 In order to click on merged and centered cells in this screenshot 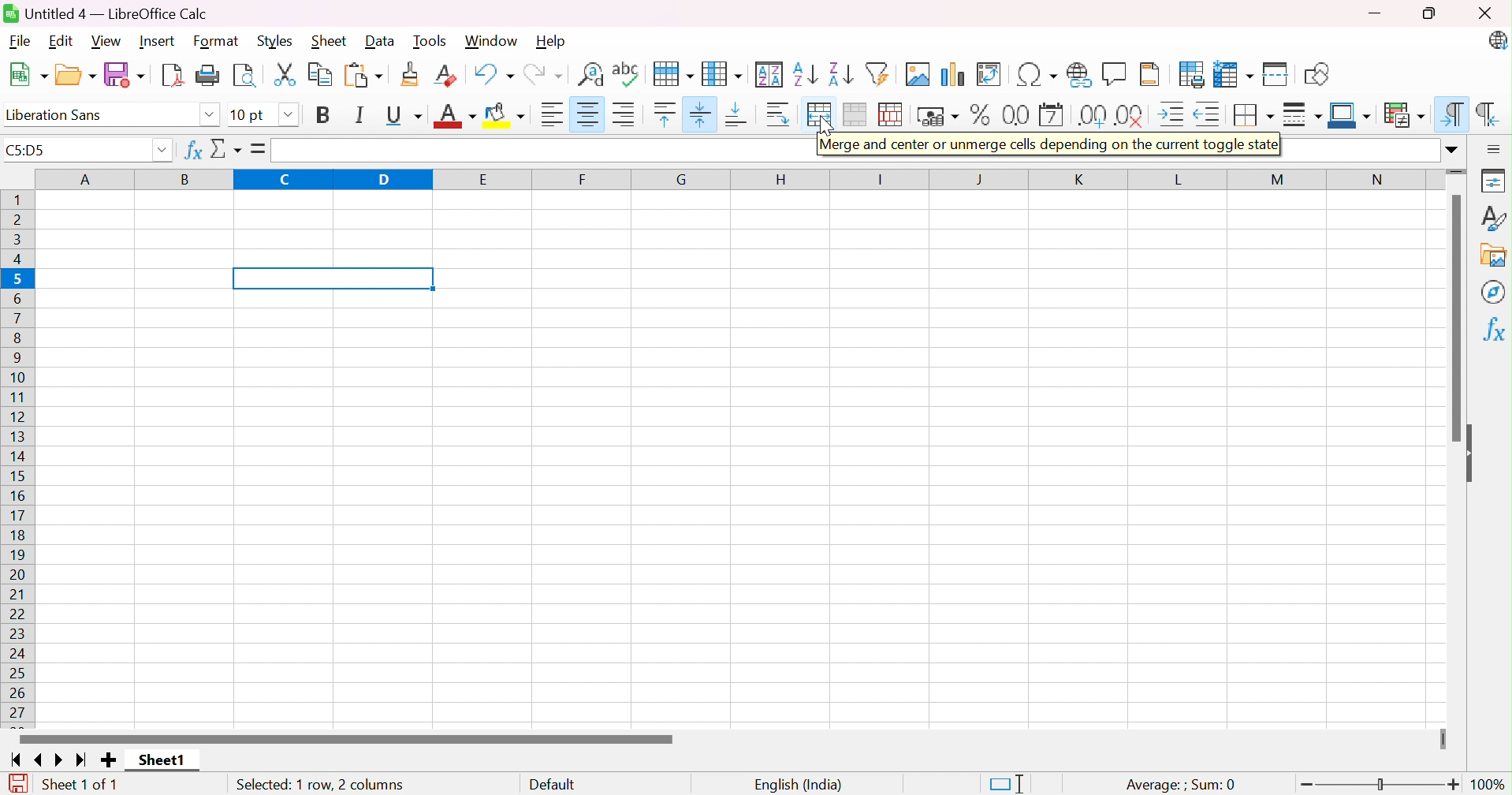, I will do `click(333, 277)`.